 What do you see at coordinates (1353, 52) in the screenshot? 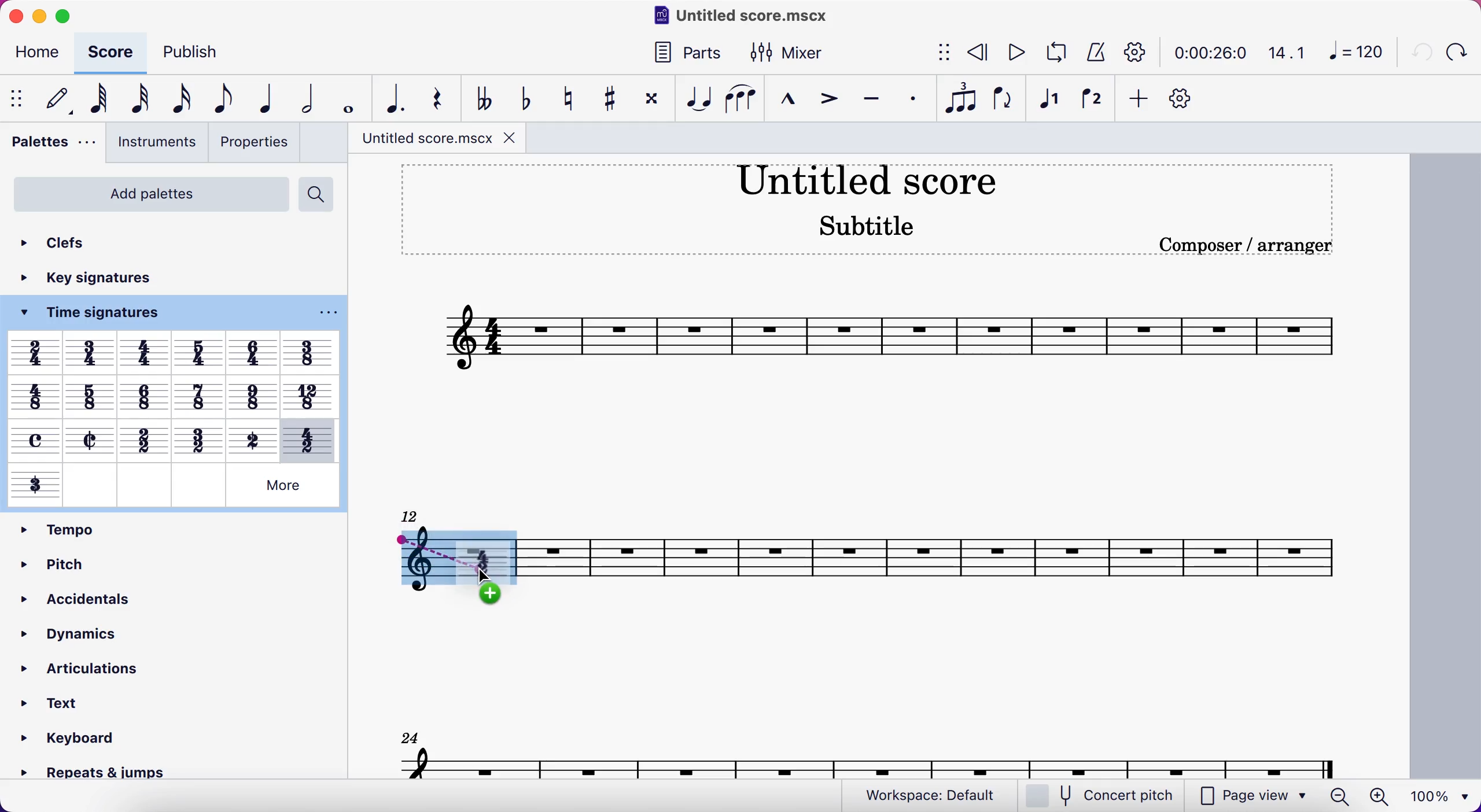
I see `120` at bounding box center [1353, 52].